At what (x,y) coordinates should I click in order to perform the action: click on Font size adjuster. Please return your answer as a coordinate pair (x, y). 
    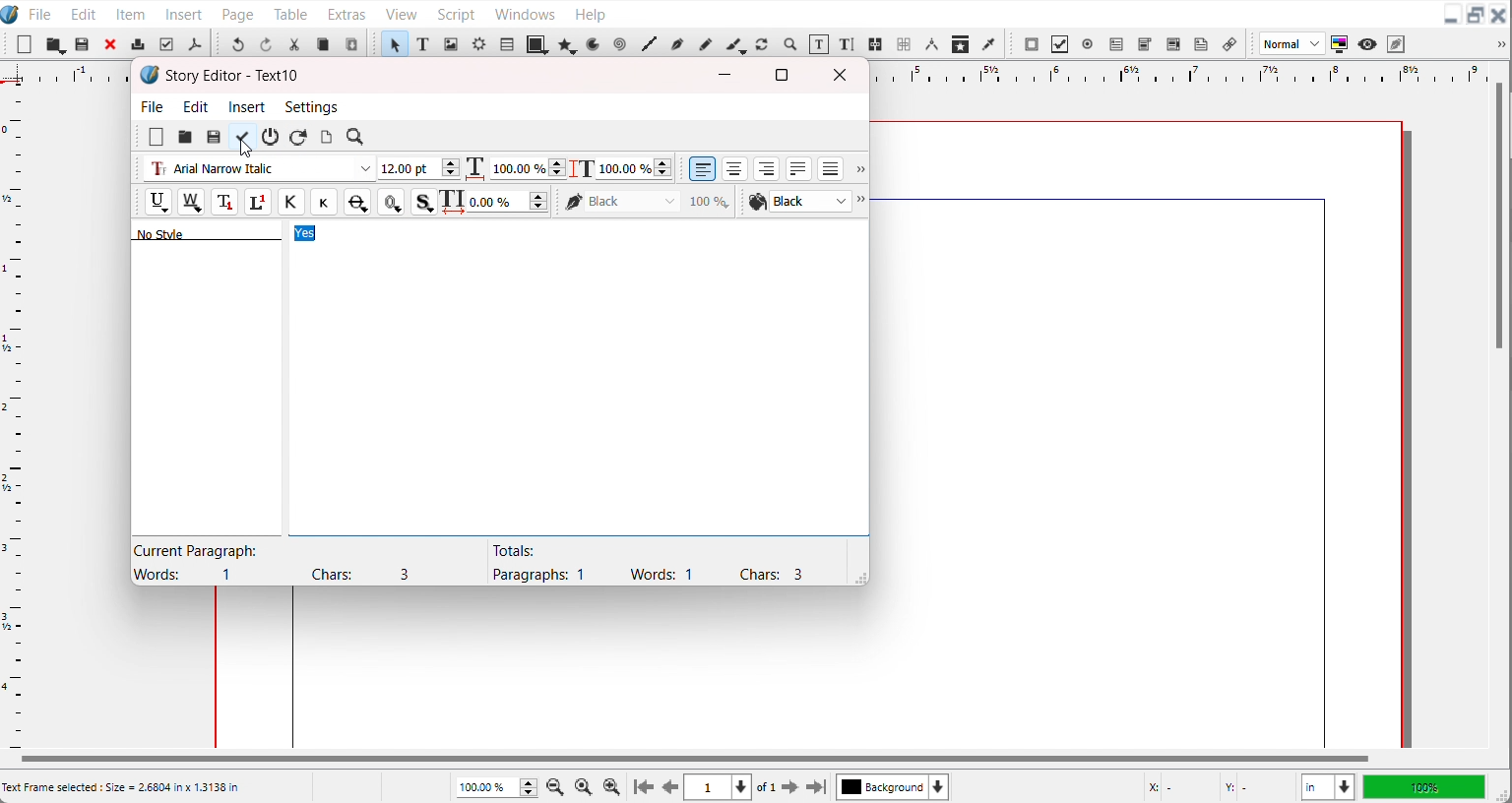
    Looking at the image, I should click on (418, 168).